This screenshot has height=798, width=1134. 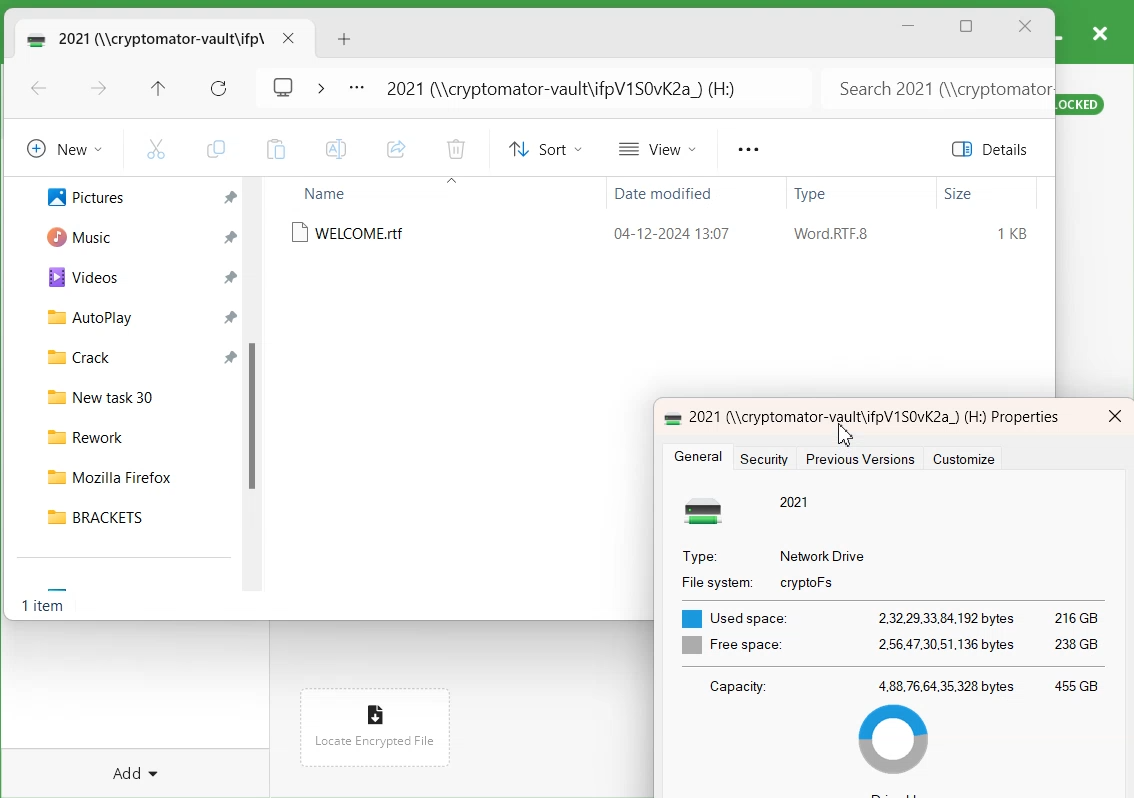 What do you see at coordinates (79, 316) in the screenshot?
I see `AutoPlay` at bounding box center [79, 316].